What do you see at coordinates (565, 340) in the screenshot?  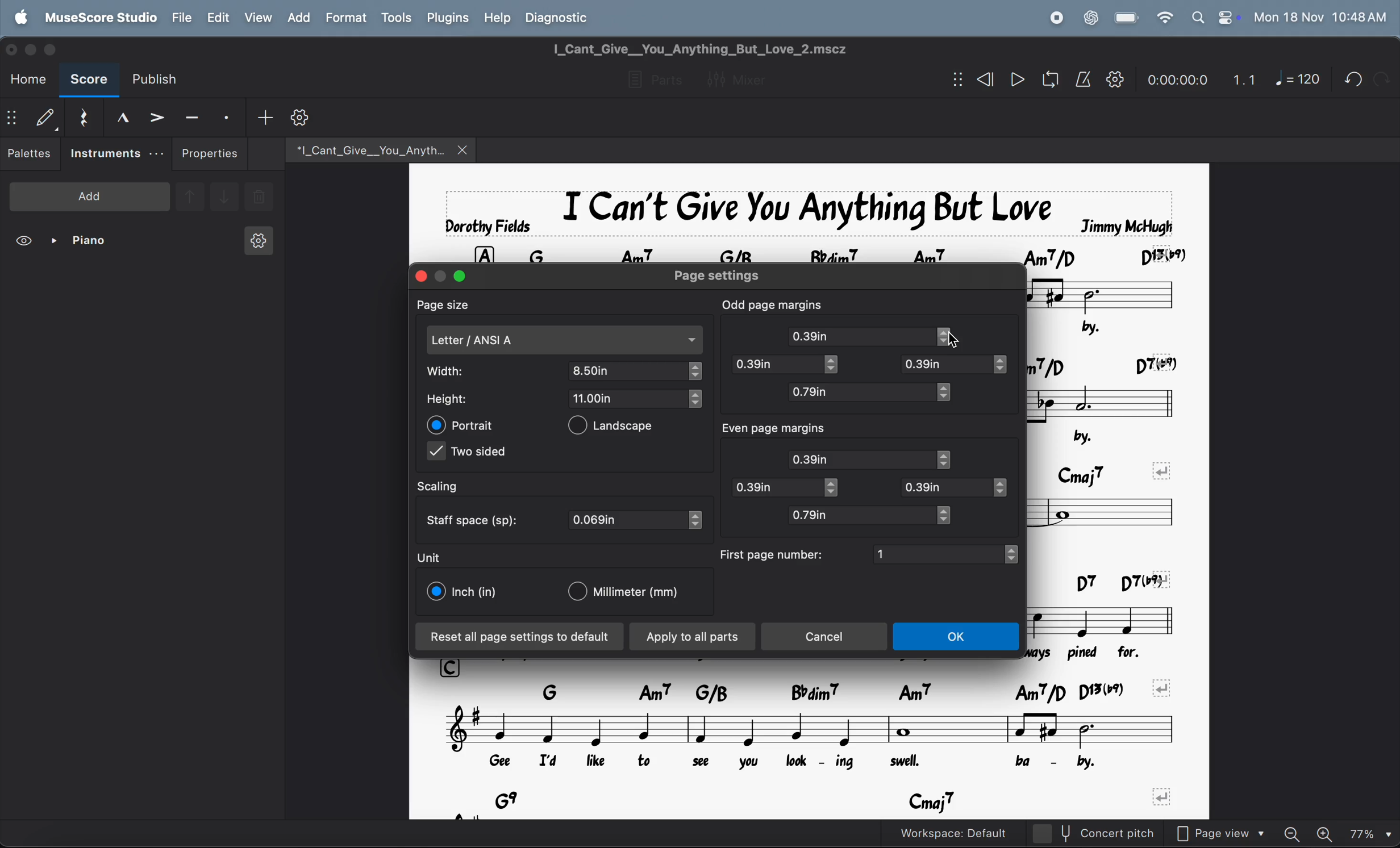 I see `letter ` at bounding box center [565, 340].